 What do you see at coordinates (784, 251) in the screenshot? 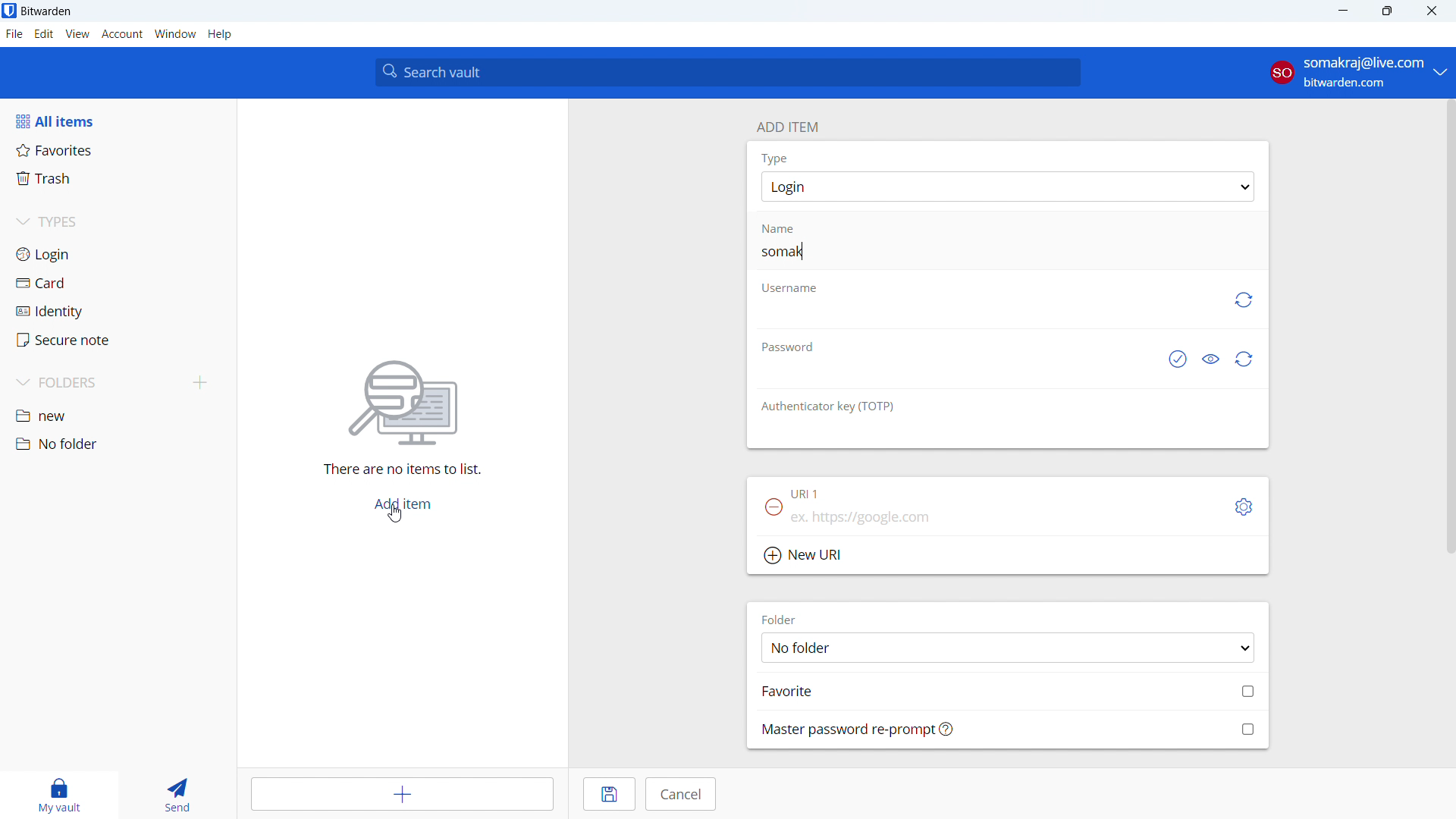
I see `name typed` at bounding box center [784, 251].